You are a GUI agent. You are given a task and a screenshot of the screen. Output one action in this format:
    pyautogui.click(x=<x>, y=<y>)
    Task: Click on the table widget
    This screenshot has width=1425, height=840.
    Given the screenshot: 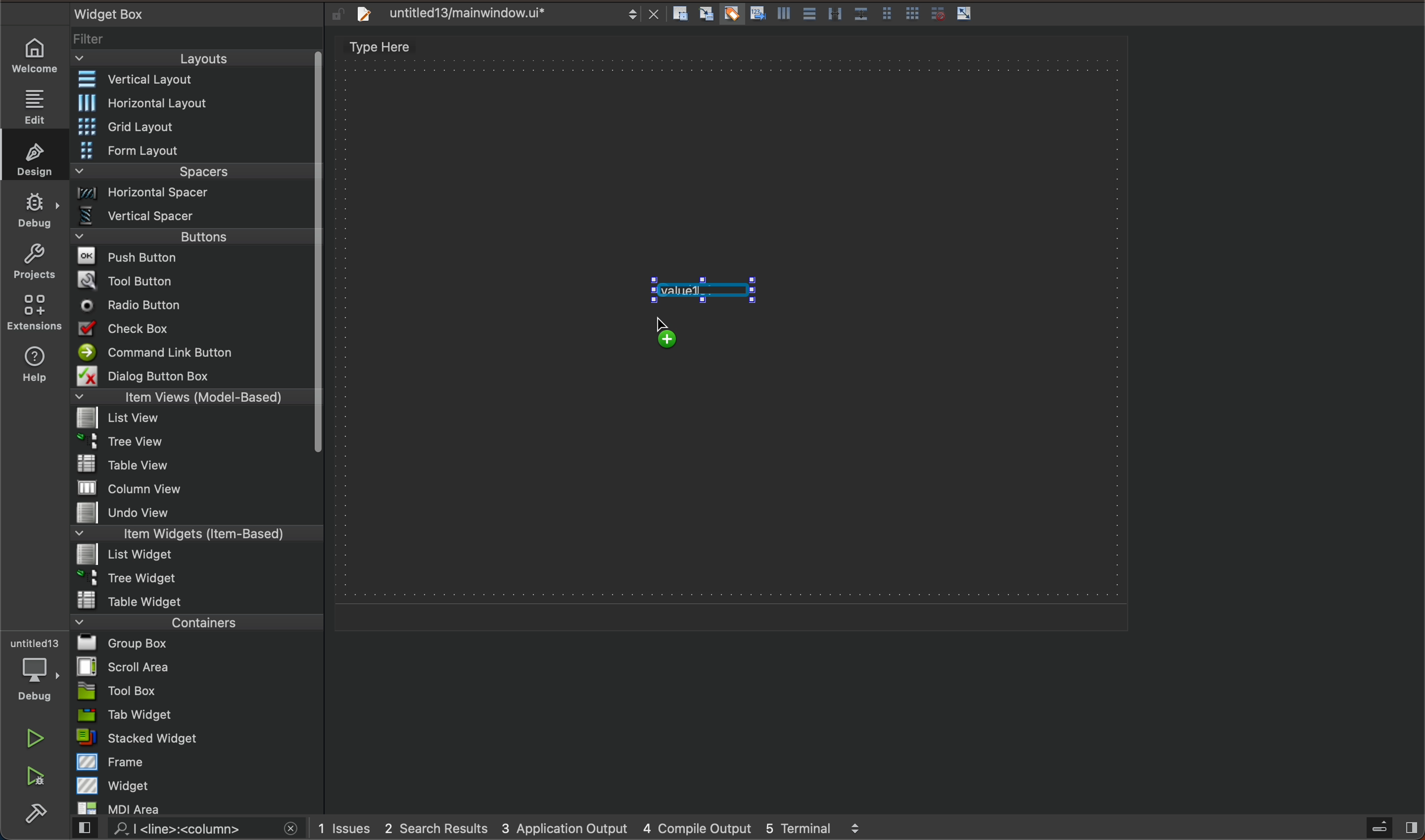 What is the action you would take?
    pyautogui.click(x=198, y=600)
    